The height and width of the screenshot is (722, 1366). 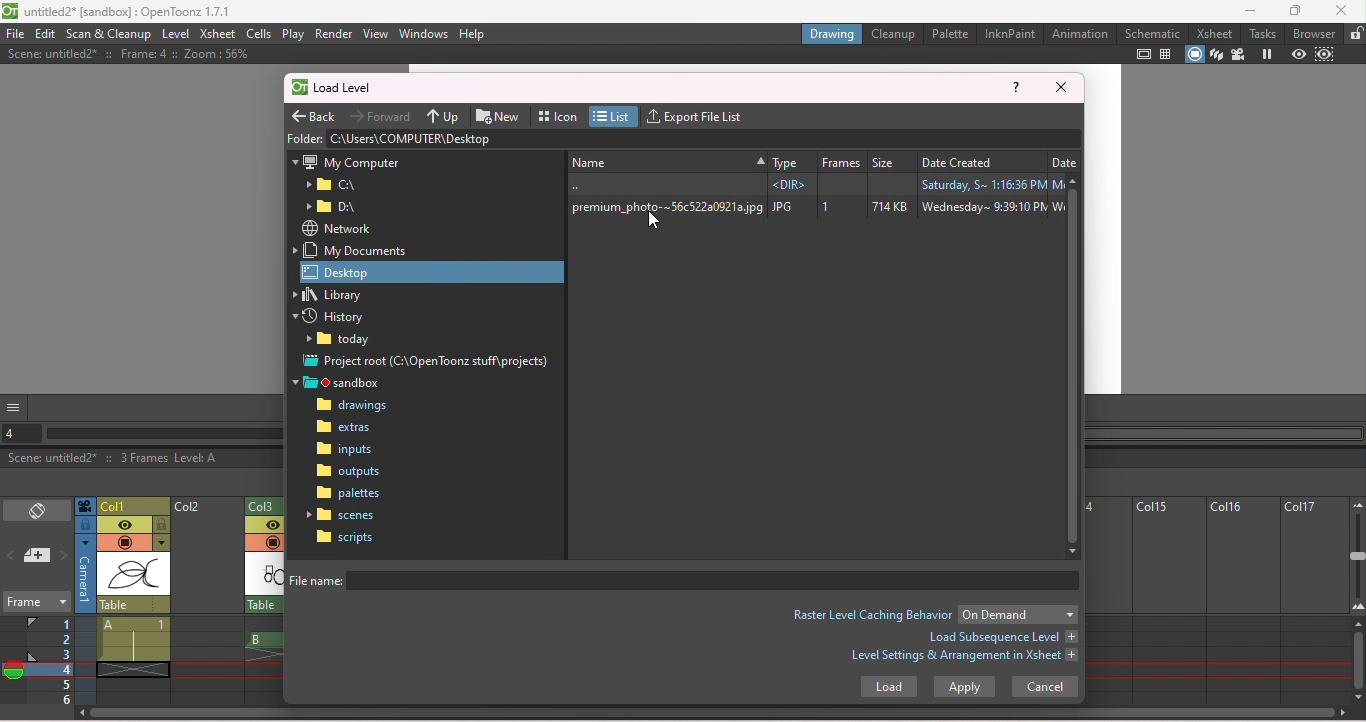 What do you see at coordinates (269, 504) in the screenshot?
I see `Column 3` at bounding box center [269, 504].